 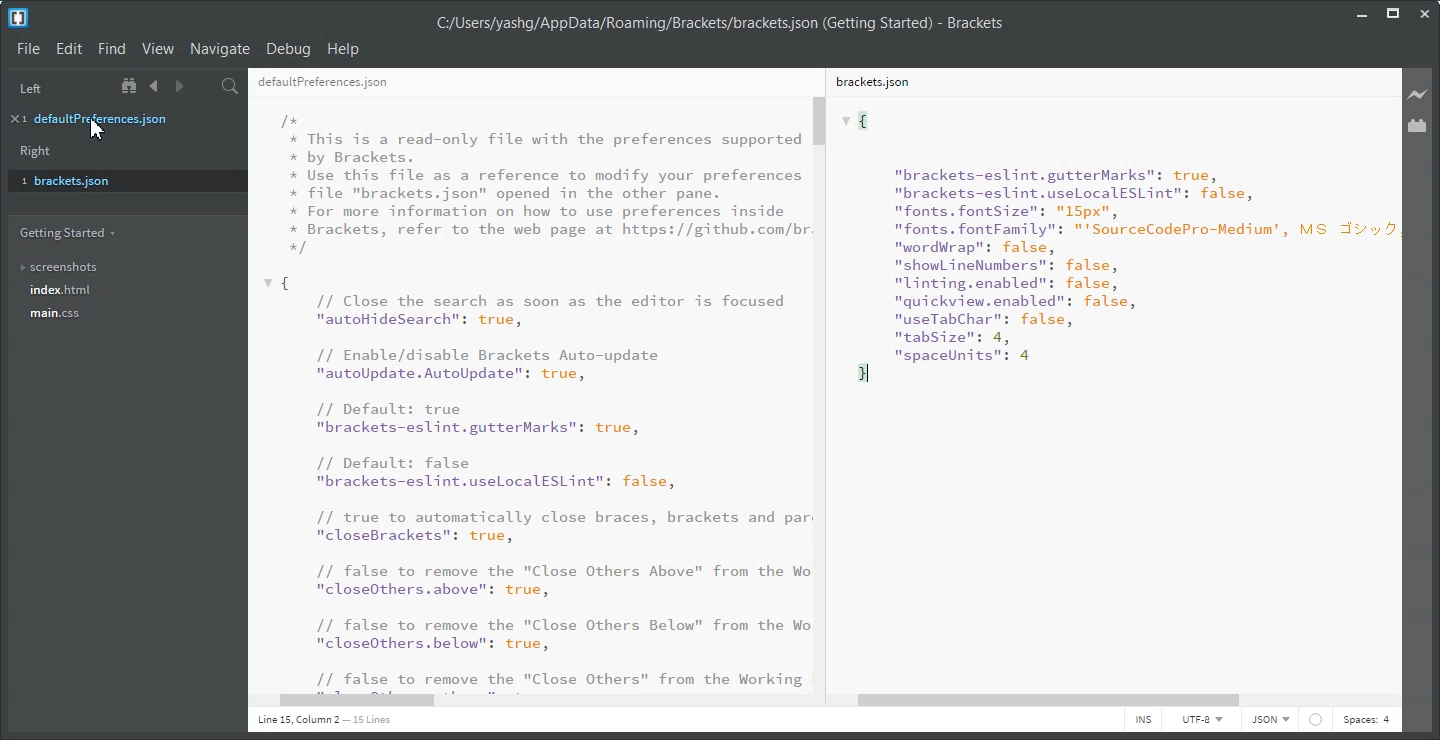 What do you see at coordinates (719, 24) in the screenshot?
I see `Text` at bounding box center [719, 24].